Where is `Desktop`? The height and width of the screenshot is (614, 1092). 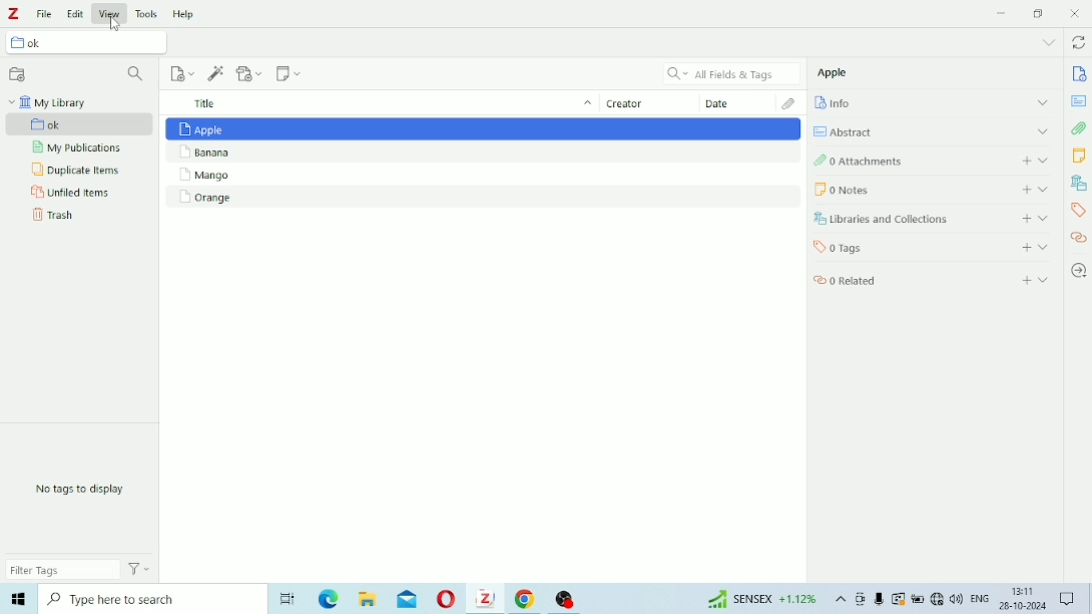 Desktop is located at coordinates (285, 598).